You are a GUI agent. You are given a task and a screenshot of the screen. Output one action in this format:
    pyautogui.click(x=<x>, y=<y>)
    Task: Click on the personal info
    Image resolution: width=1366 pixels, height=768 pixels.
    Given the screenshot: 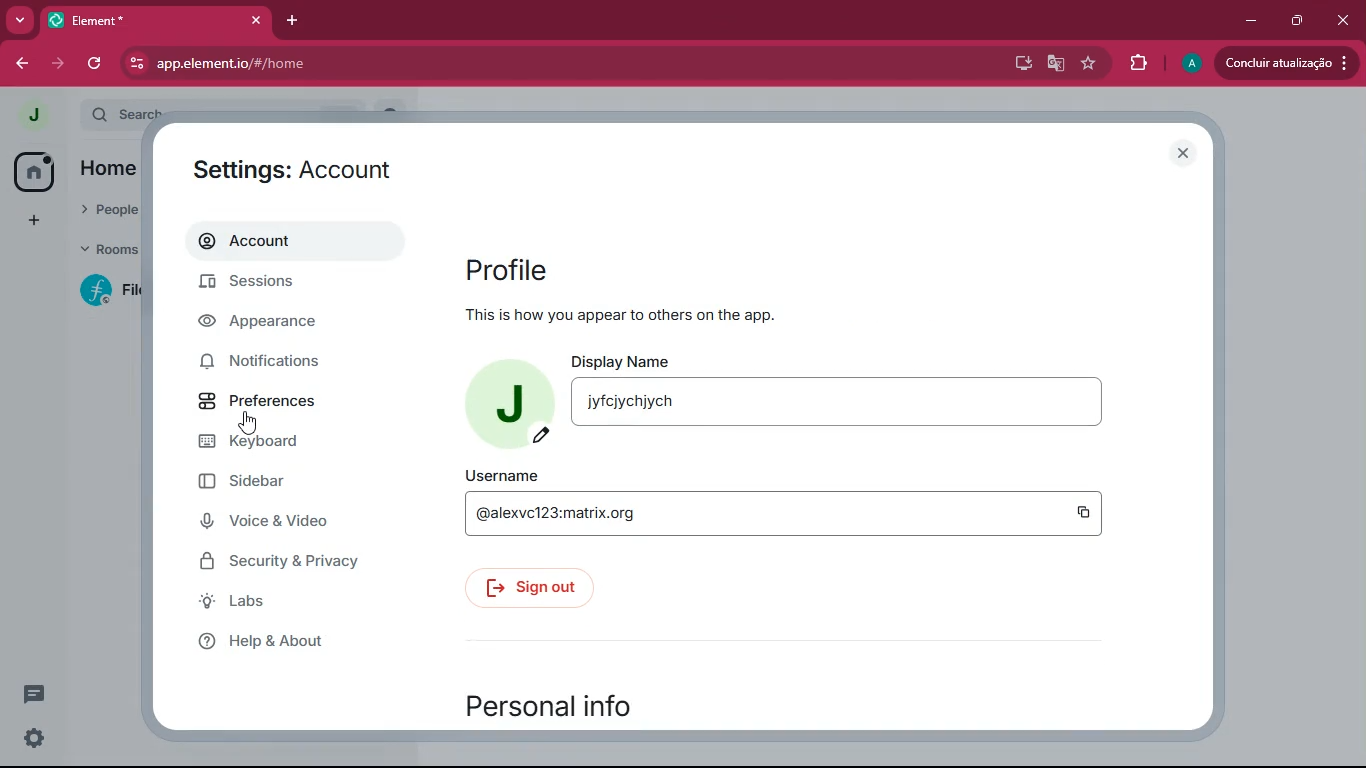 What is the action you would take?
    pyautogui.click(x=570, y=706)
    